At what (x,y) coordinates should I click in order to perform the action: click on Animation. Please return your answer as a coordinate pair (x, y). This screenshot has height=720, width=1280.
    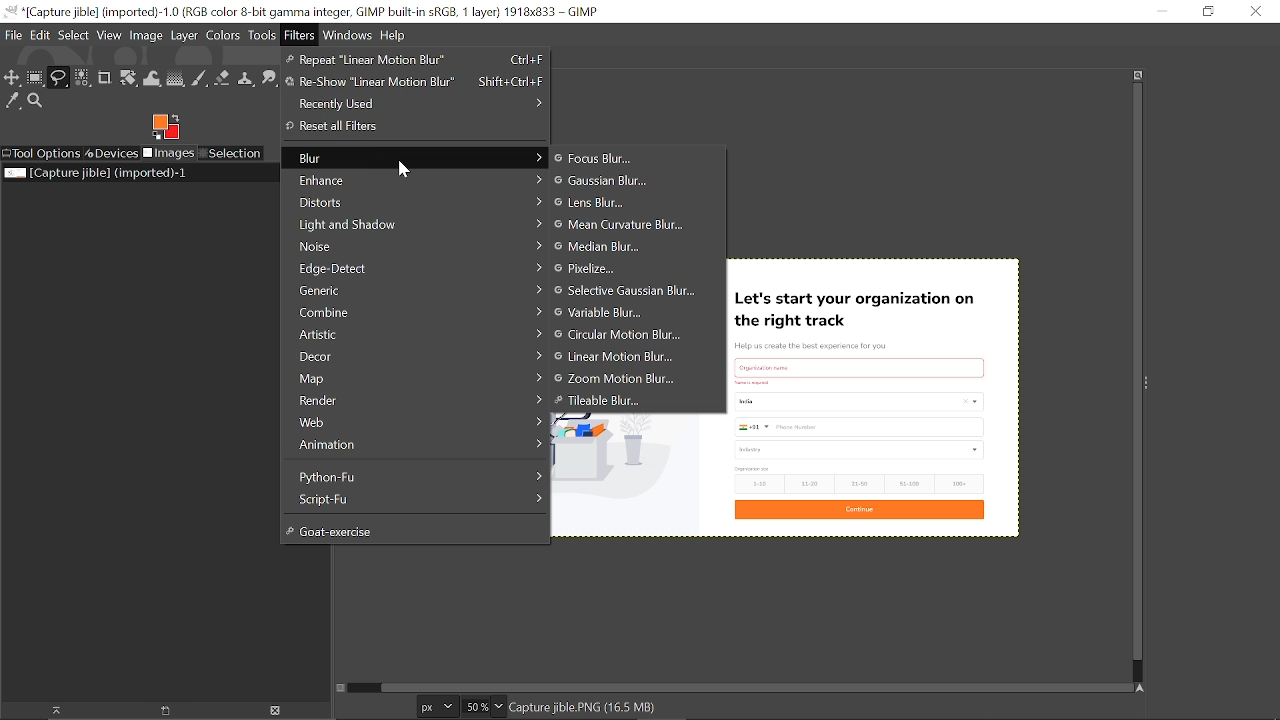
    Looking at the image, I should click on (415, 446).